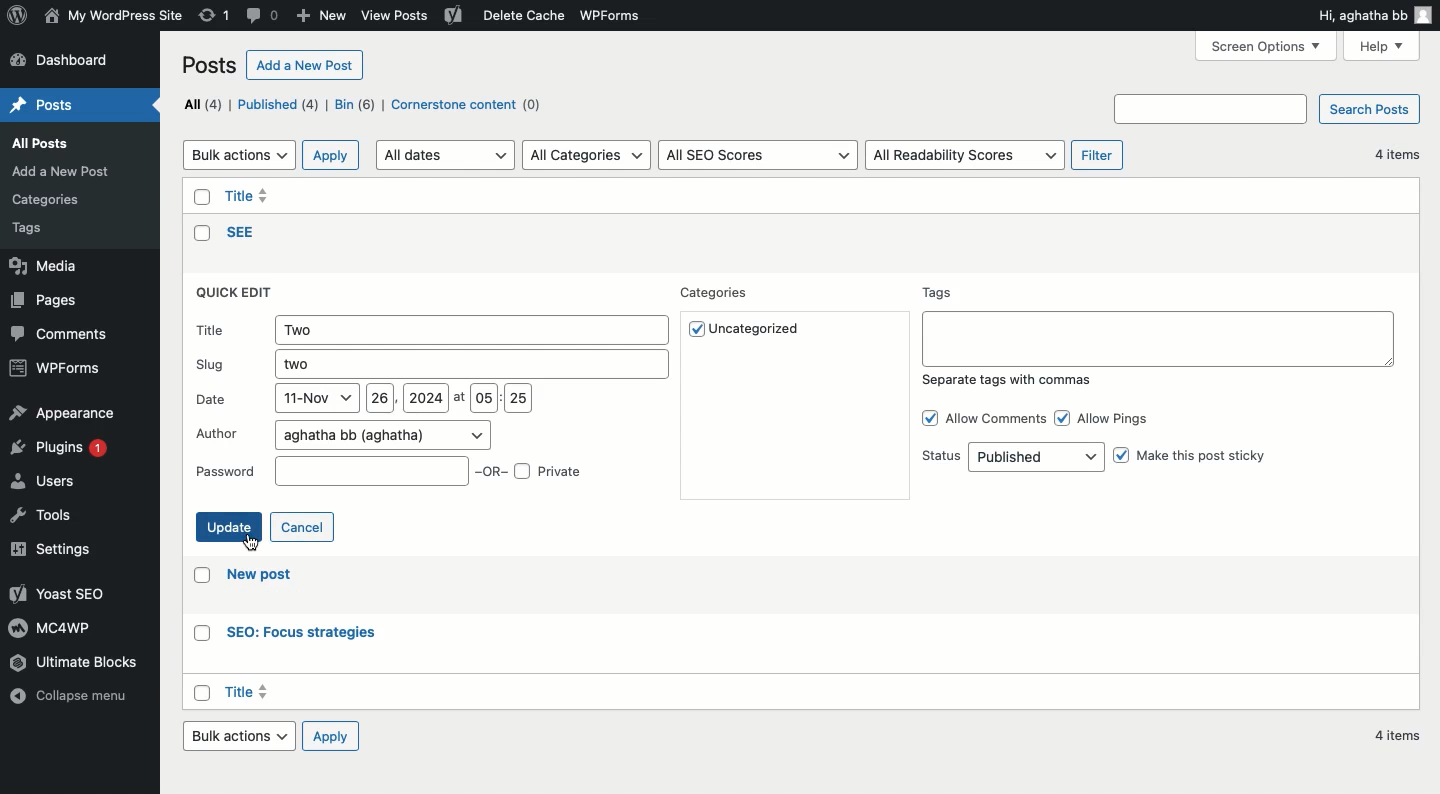 This screenshot has width=1440, height=794. What do you see at coordinates (357, 106) in the screenshot?
I see `Bin` at bounding box center [357, 106].